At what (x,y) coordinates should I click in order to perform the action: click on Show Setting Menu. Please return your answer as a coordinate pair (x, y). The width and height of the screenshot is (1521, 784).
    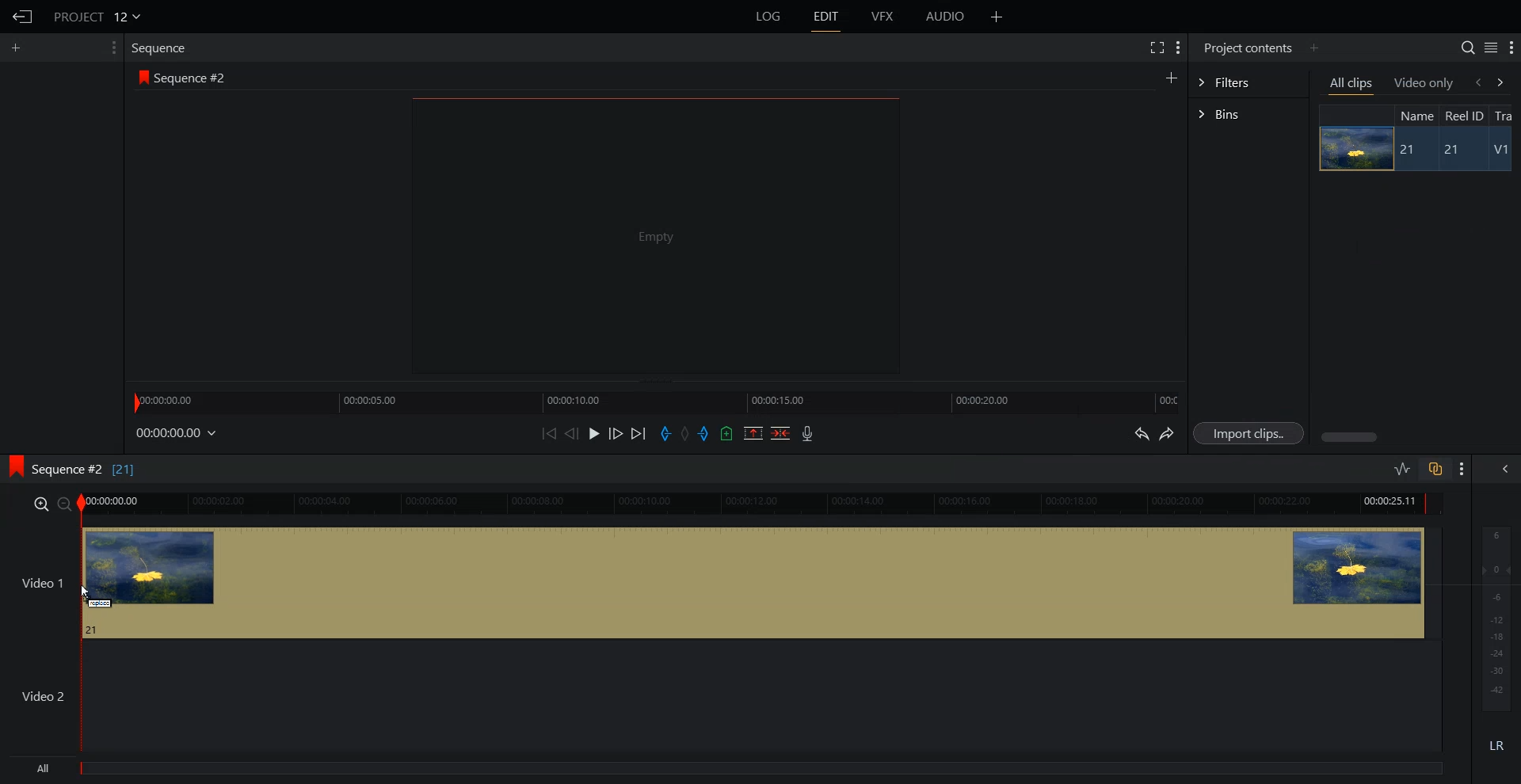
    Looking at the image, I should click on (113, 48).